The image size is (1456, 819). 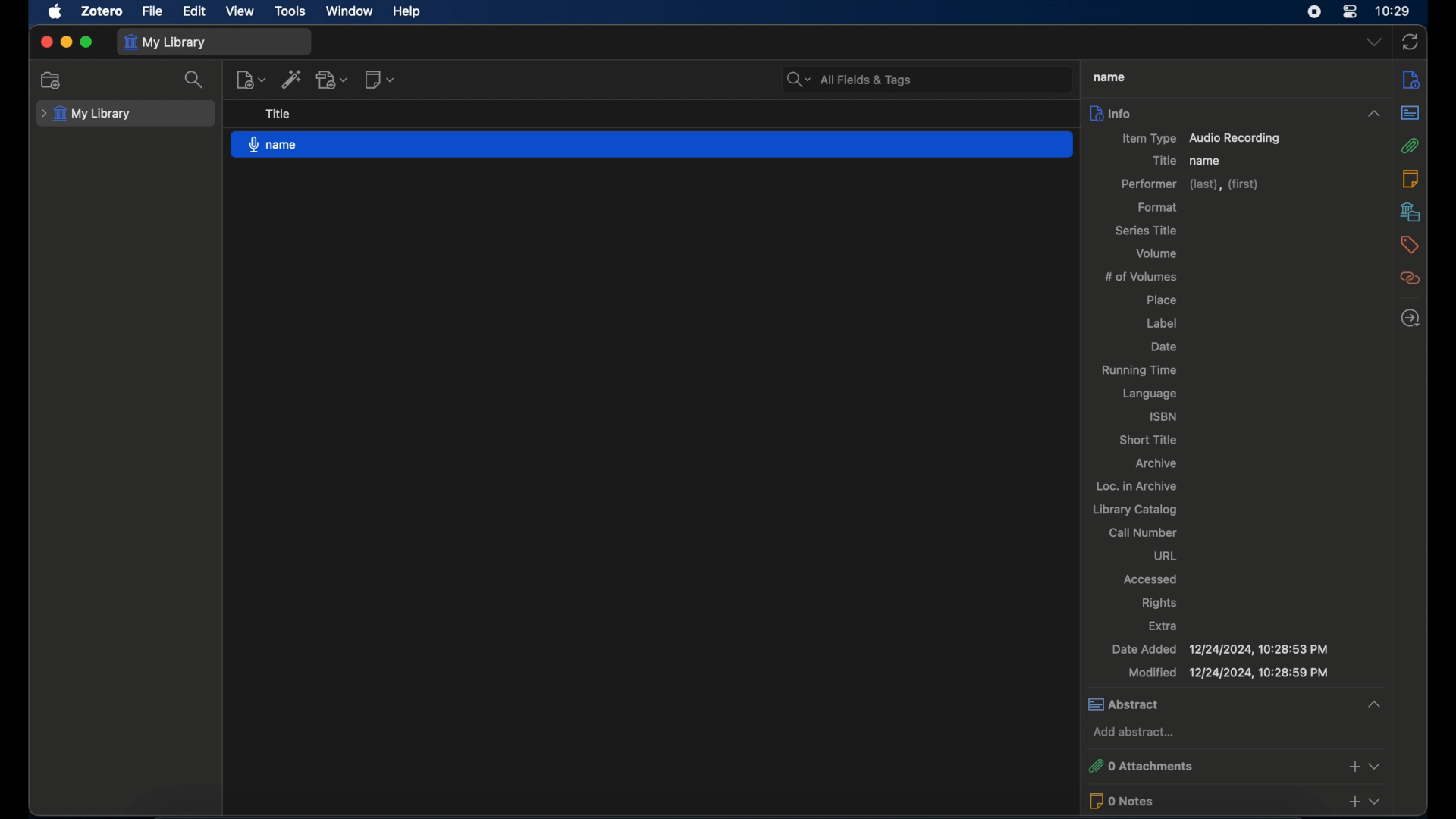 What do you see at coordinates (1411, 318) in the screenshot?
I see `locate` at bounding box center [1411, 318].